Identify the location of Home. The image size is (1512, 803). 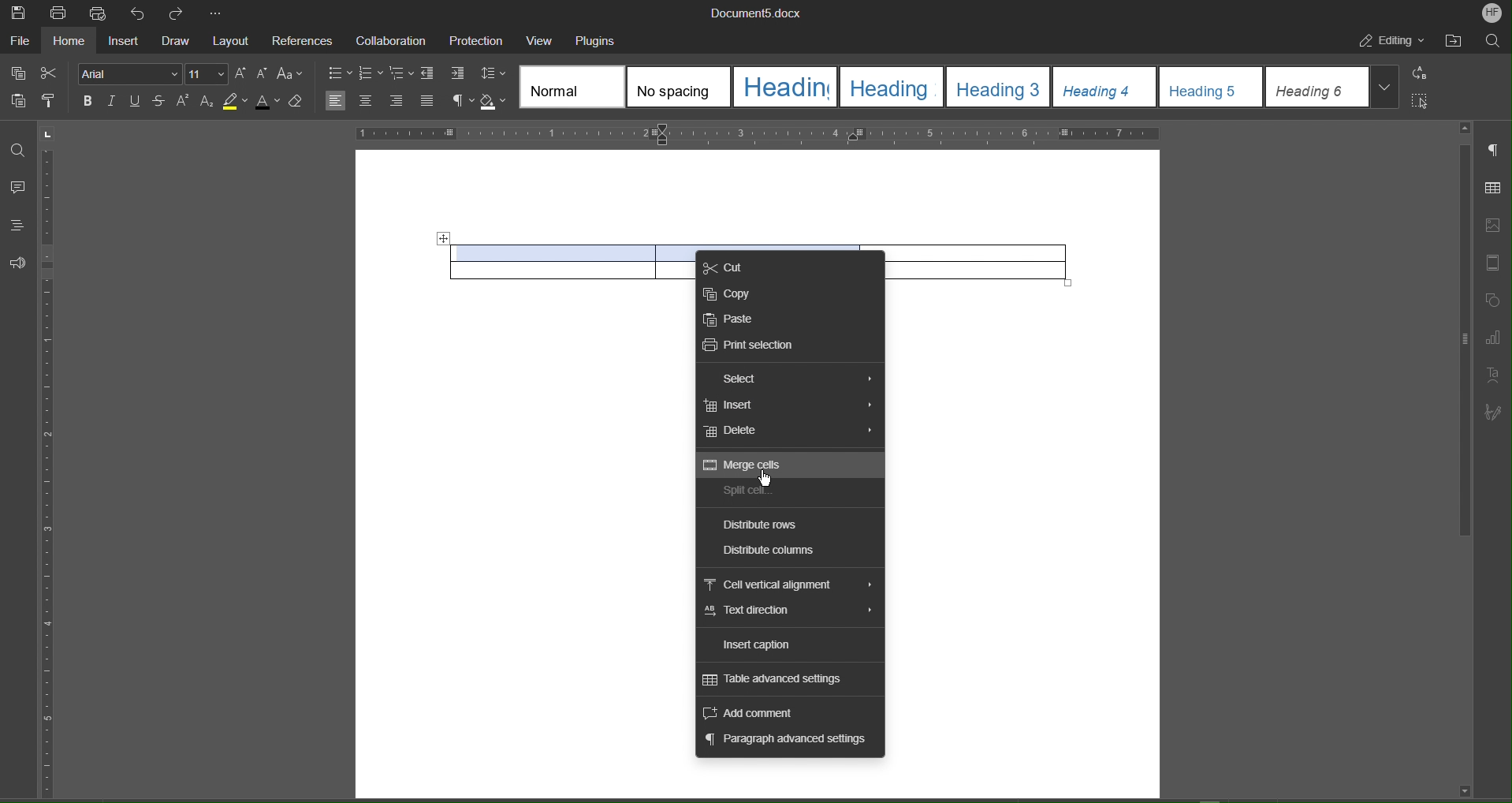
(73, 43).